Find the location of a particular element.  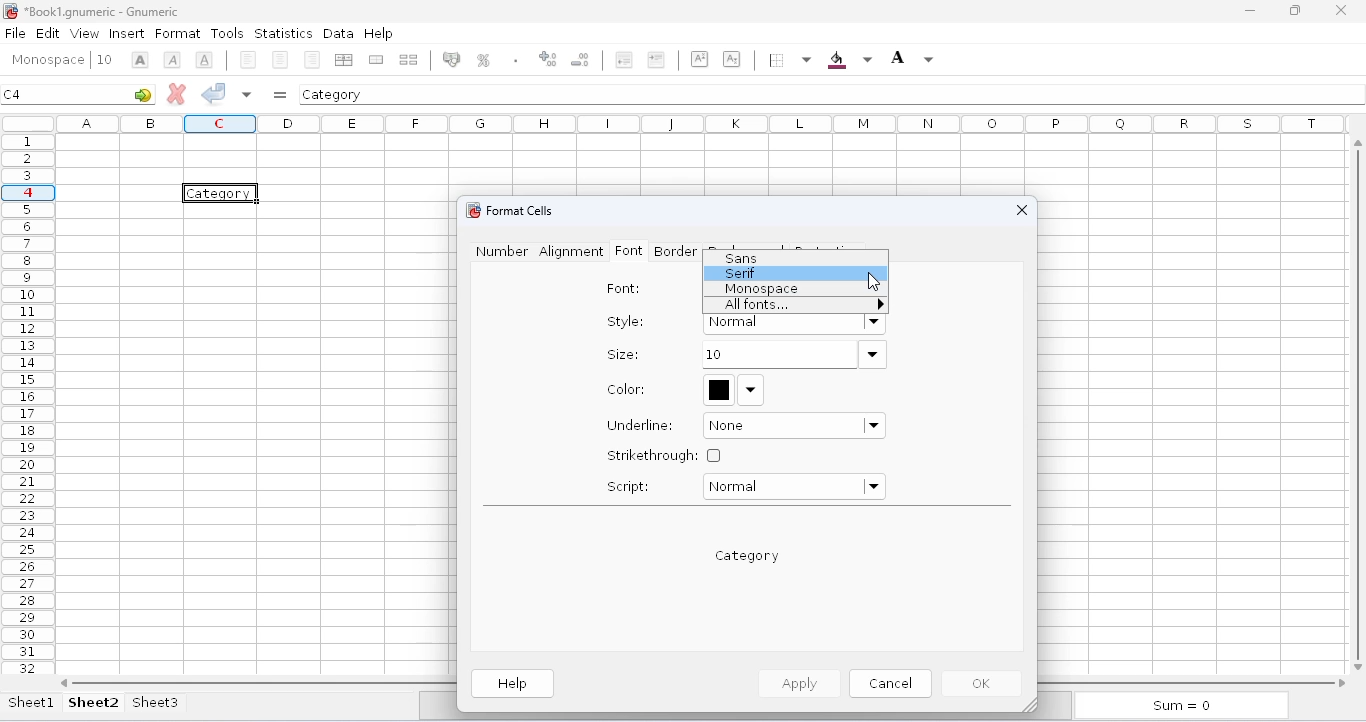

title is located at coordinates (102, 11).